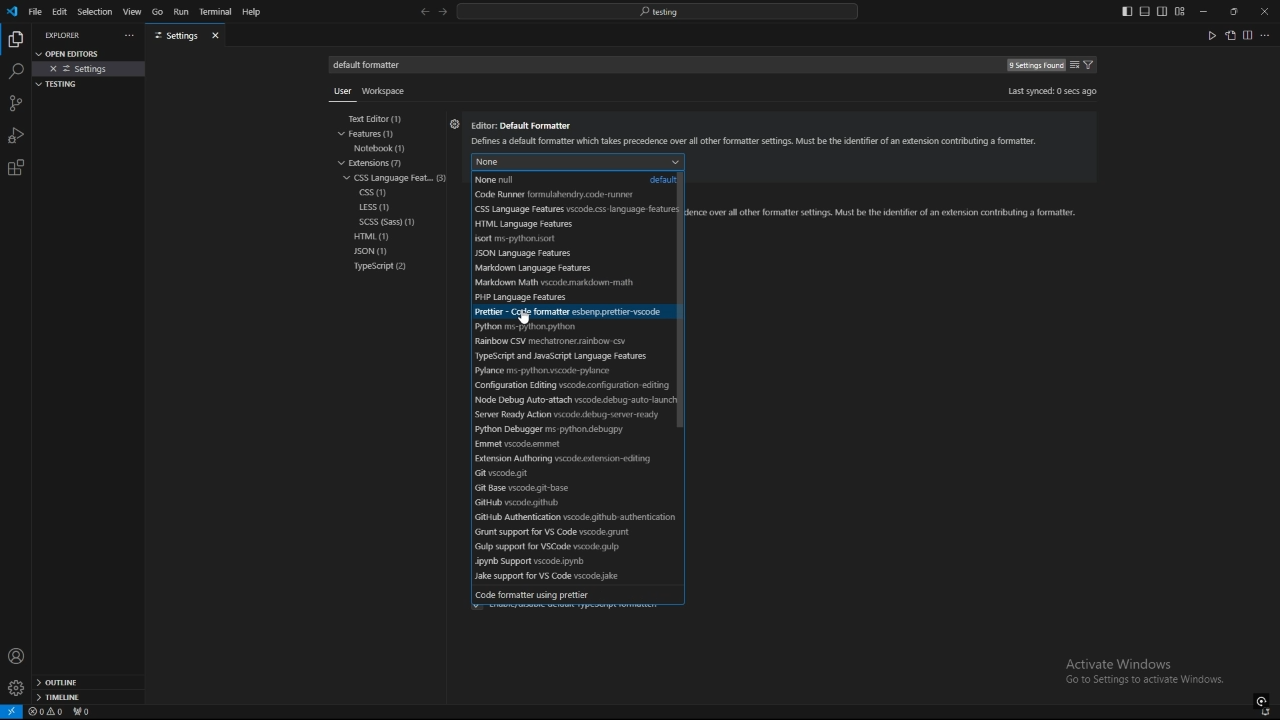 Image resolution: width=1280 pixels, height=720 pixels. What do you see at coordinates (424, 12) in the screenshot?
I see `back` at bounding box center [424, 12].